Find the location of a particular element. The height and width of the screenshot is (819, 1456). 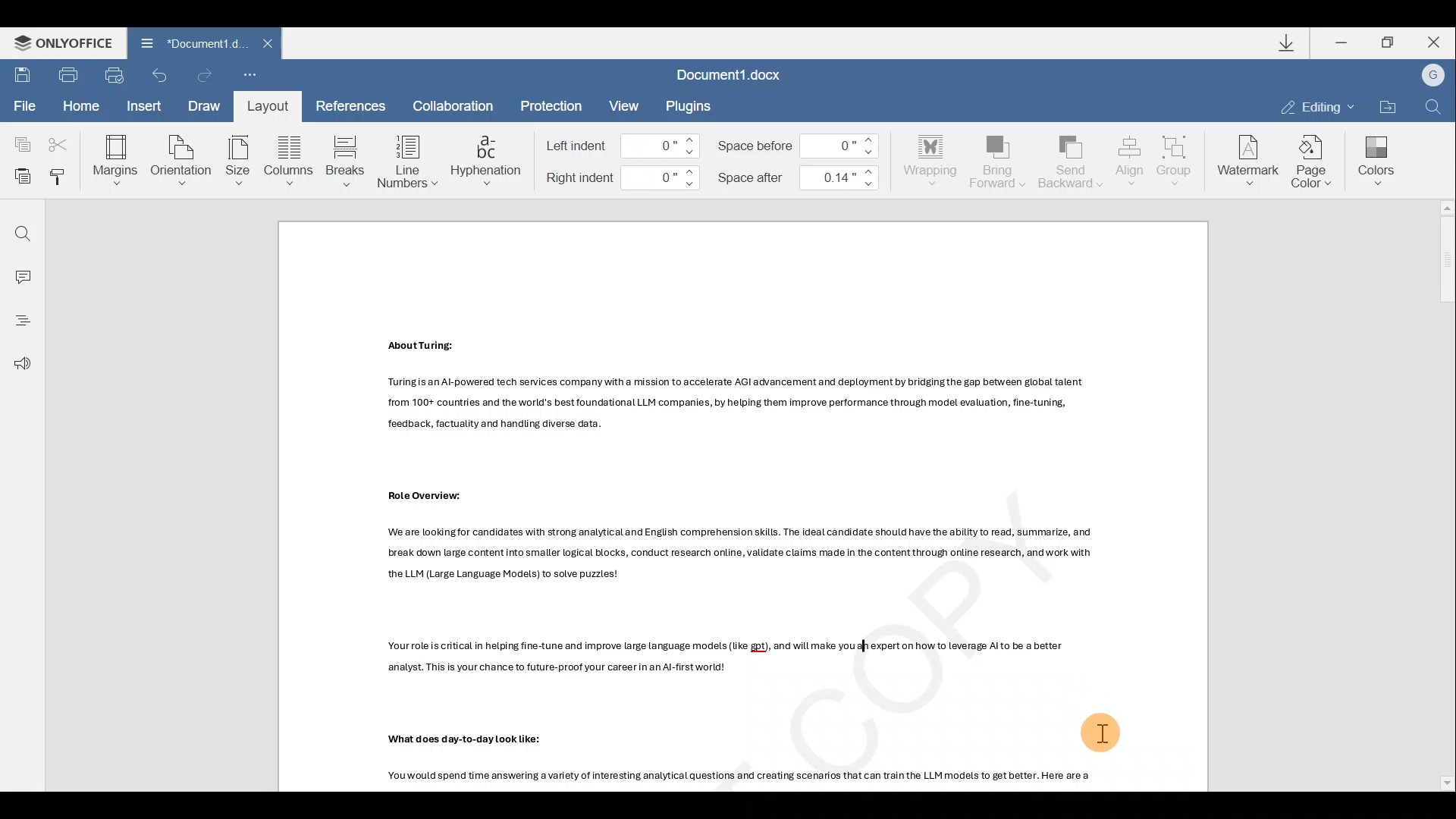

Draw is located at coordinates (205, 108).